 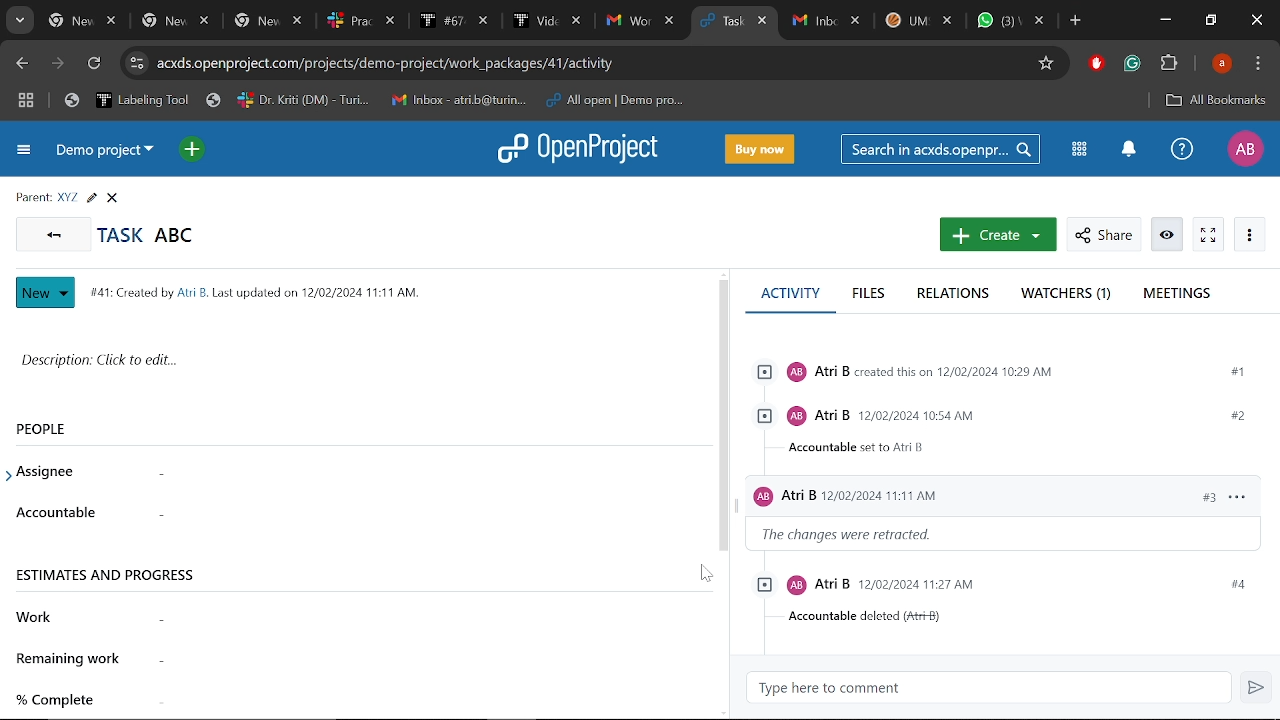 I want to click on Accountable, so click(x=399, y=519).